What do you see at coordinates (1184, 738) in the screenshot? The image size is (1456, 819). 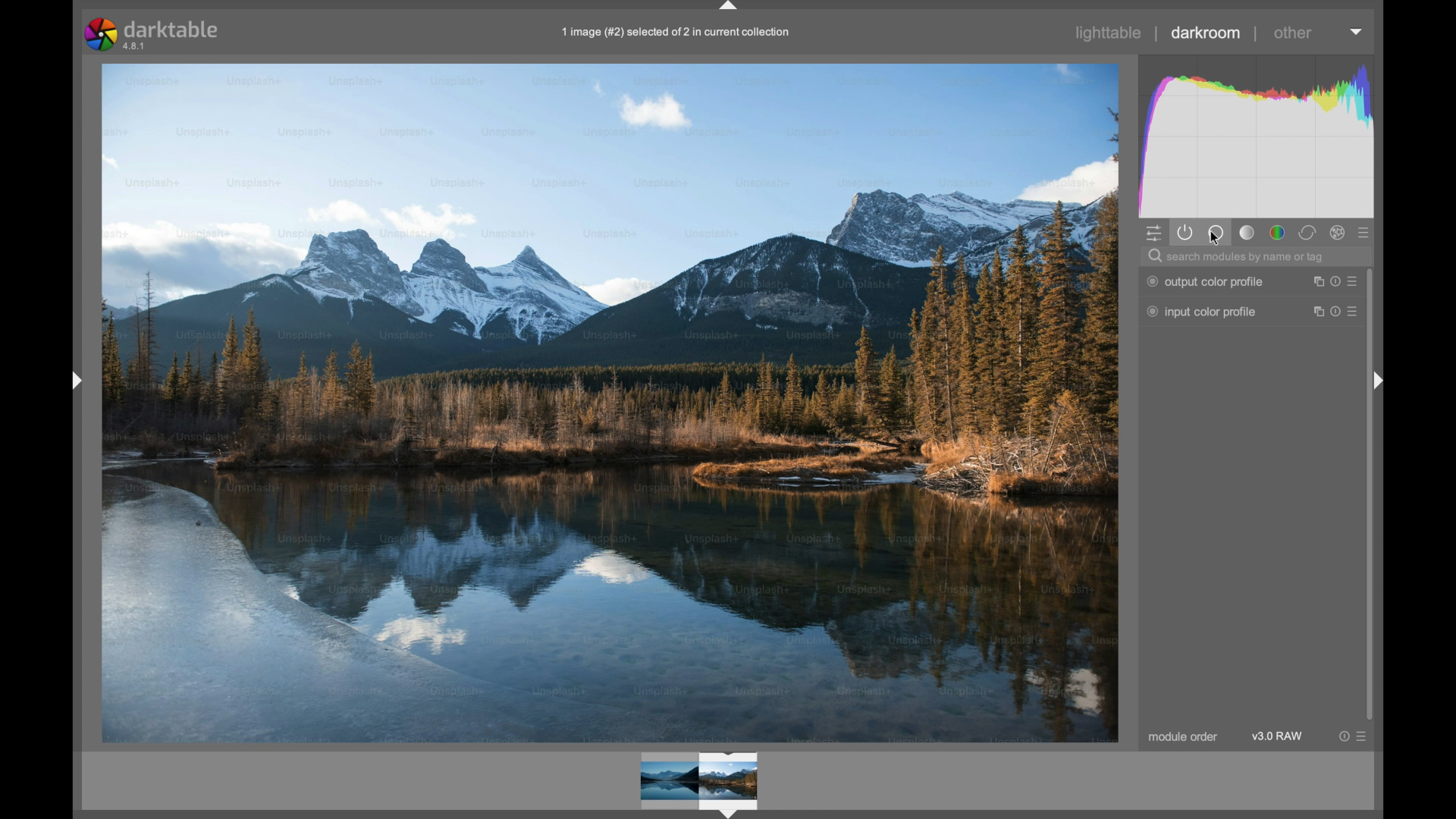 I see `module order` at bounding box center [1184, 738].